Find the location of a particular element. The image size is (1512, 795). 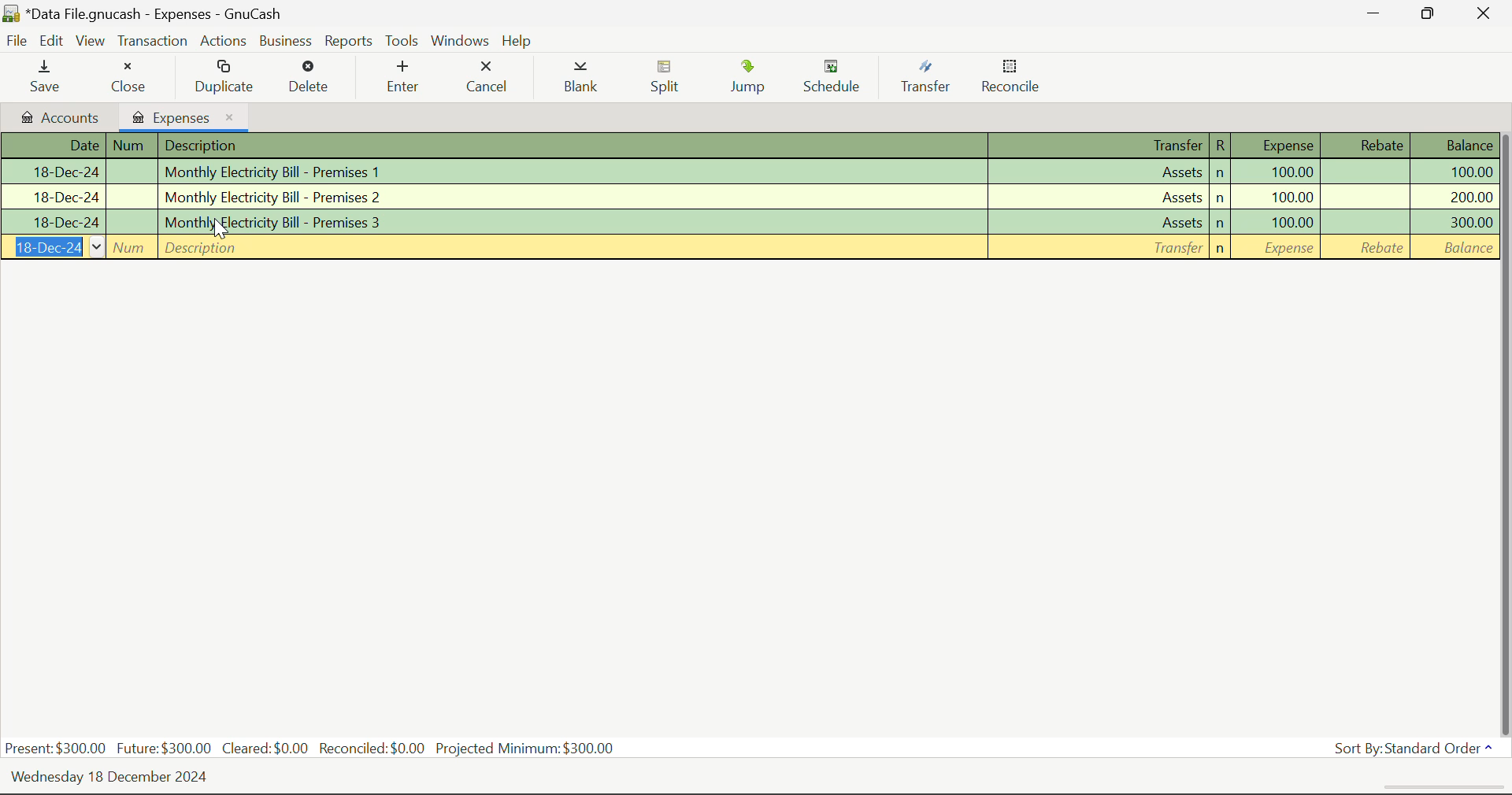

Transactions Column Headings is located at coordinates (753, 146).